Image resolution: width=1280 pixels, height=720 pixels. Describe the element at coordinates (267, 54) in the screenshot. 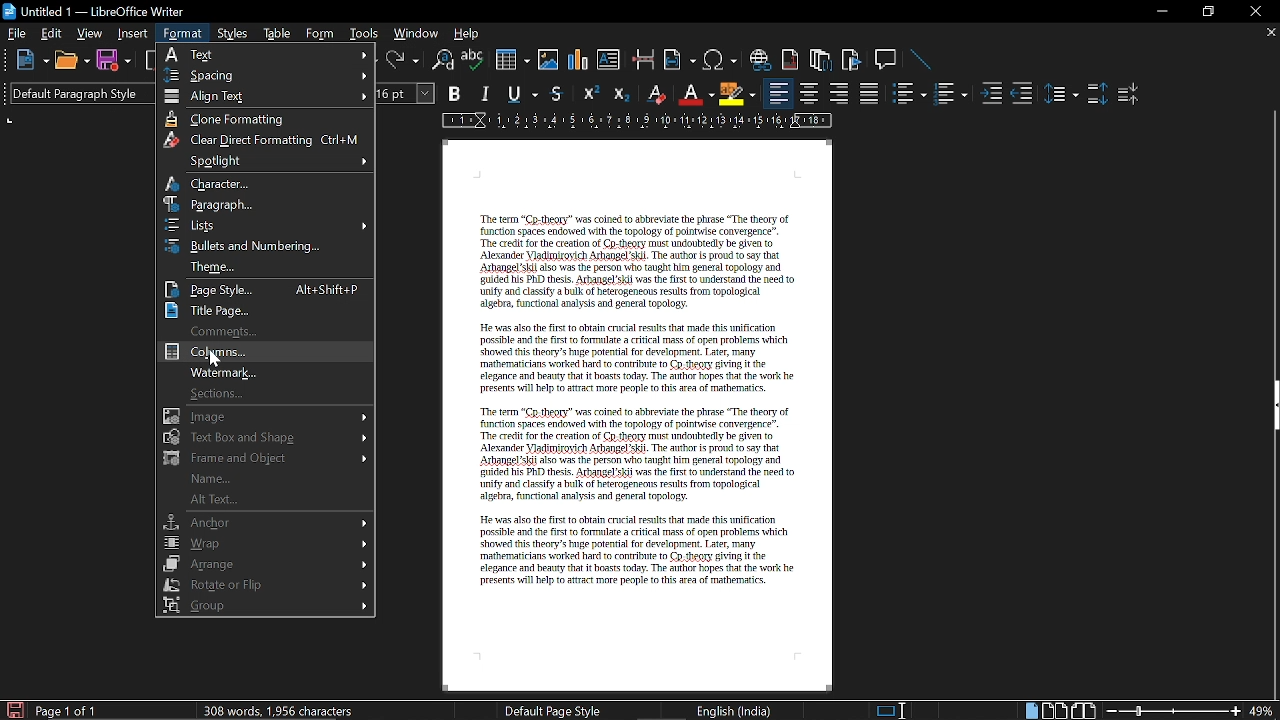

I see `Text` at that location.